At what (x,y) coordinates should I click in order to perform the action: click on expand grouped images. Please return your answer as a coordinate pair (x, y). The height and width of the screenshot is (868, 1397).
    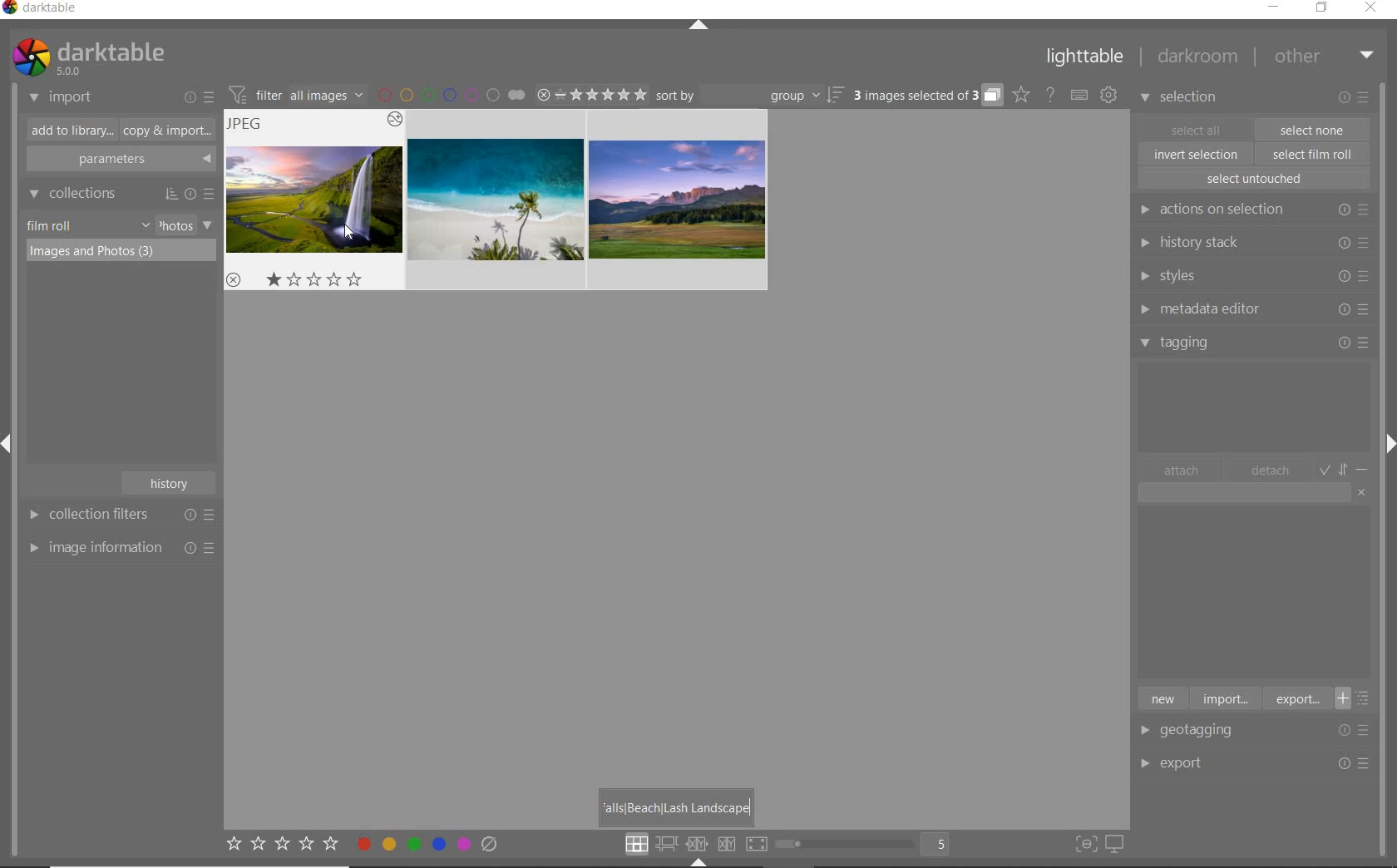
    Looking at the image, I should click on (926, 96).